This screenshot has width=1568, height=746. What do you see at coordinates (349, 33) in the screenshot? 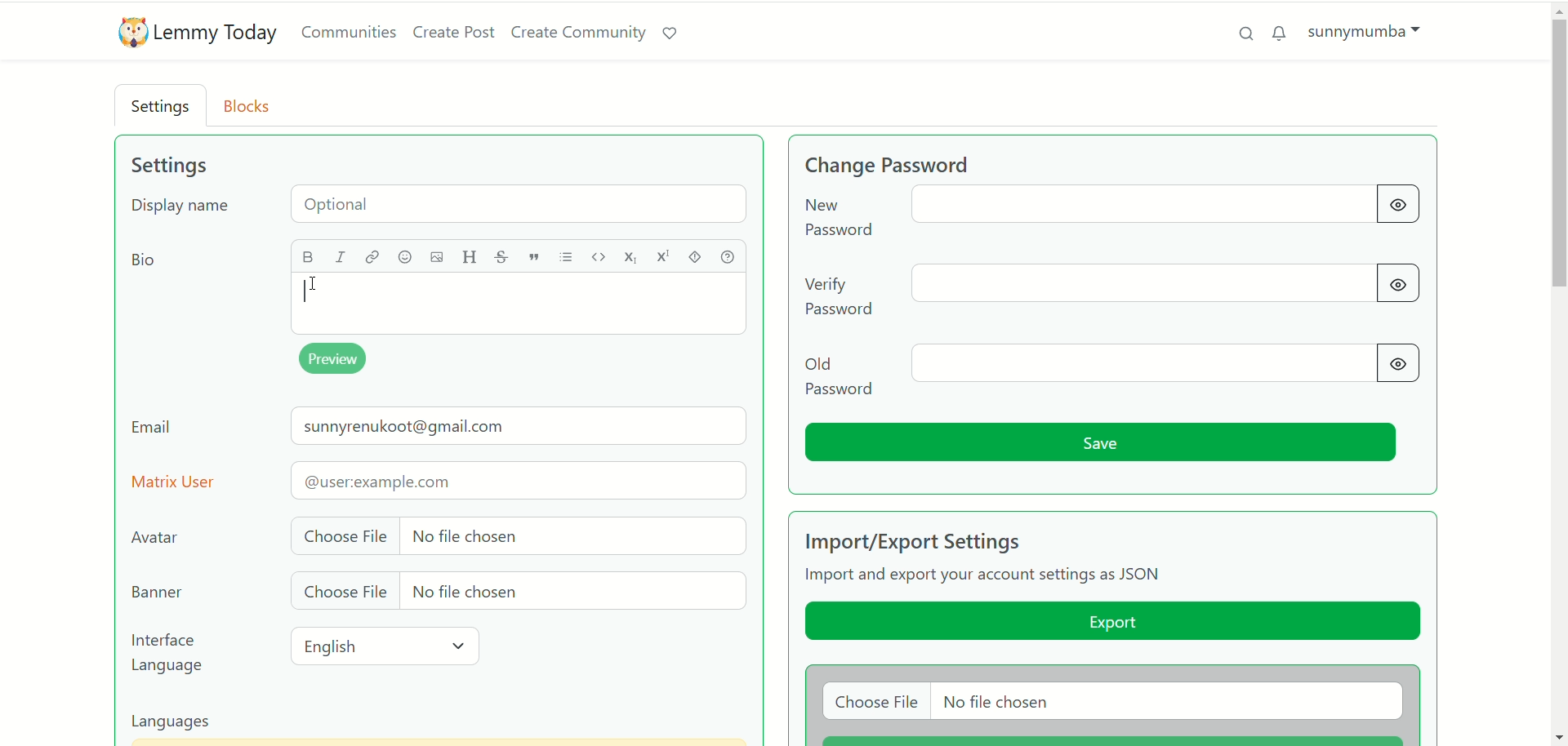
I see `communities` at bounding box center [349, 33].